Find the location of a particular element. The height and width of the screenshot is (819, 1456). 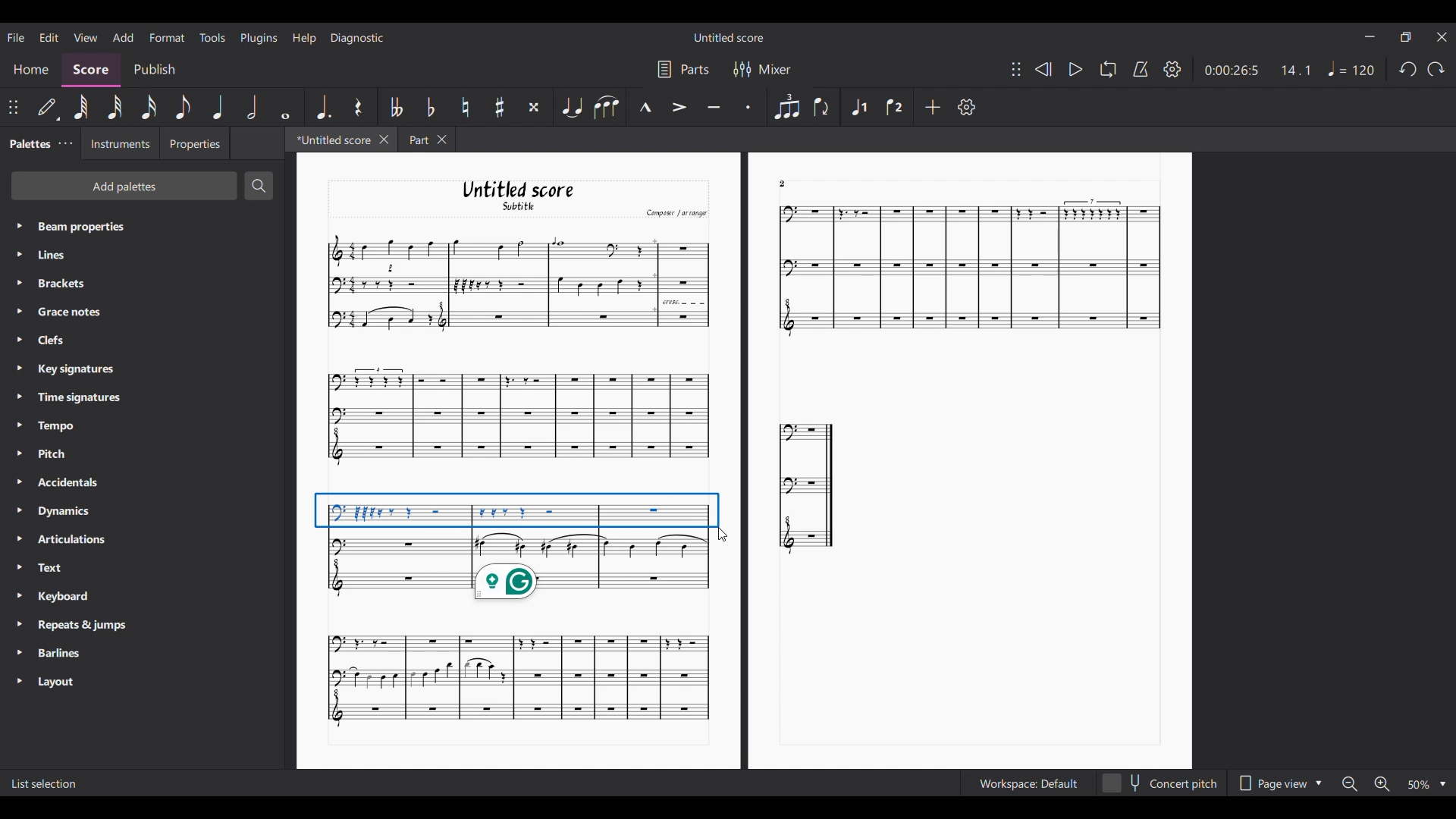

workspace Default is located at coordinates (1025, 784).